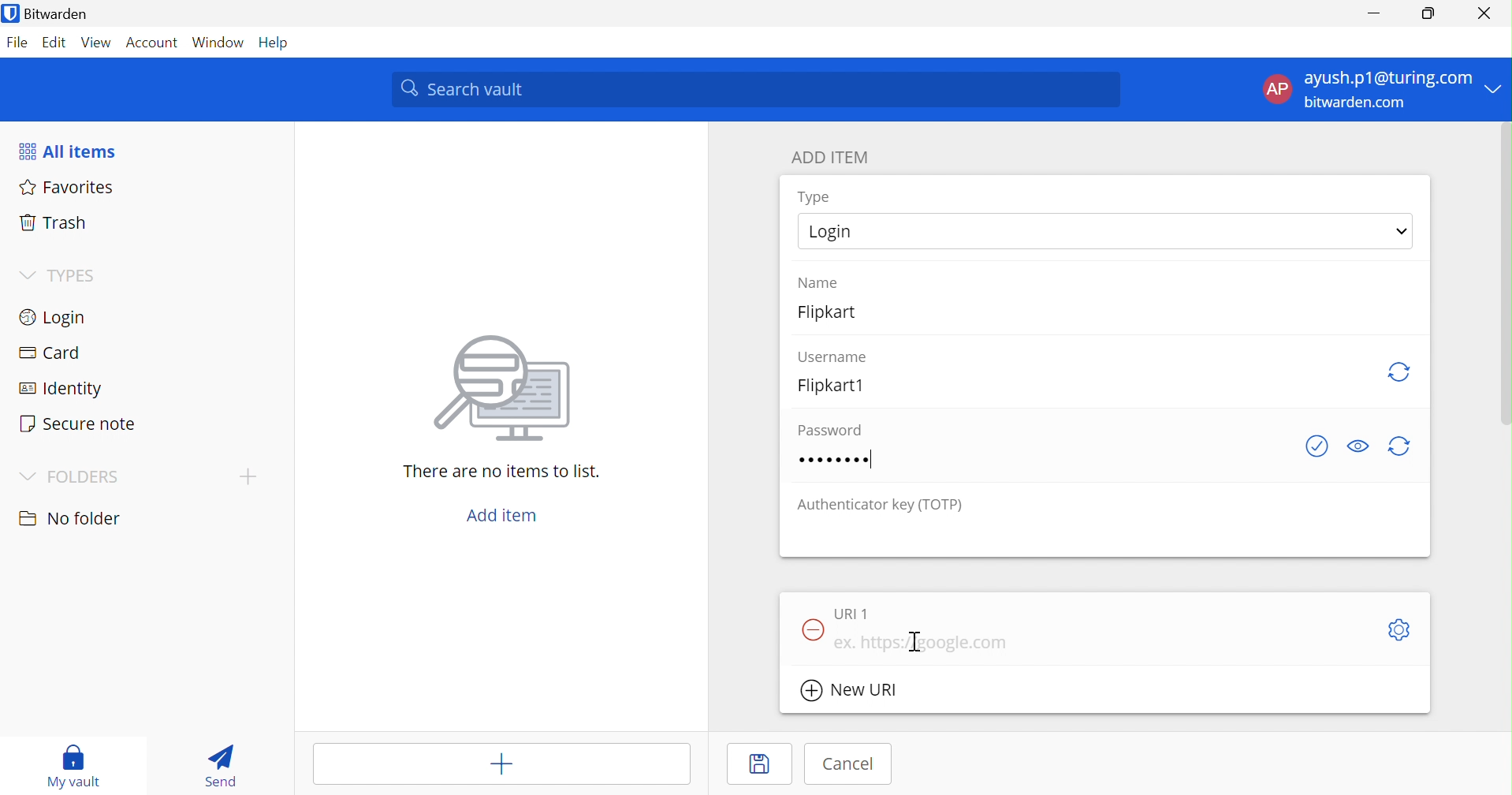 The image size is (1512, 795). Describe the element at coordinates (832, 233) in the screenshot. I see `Login` at that location.